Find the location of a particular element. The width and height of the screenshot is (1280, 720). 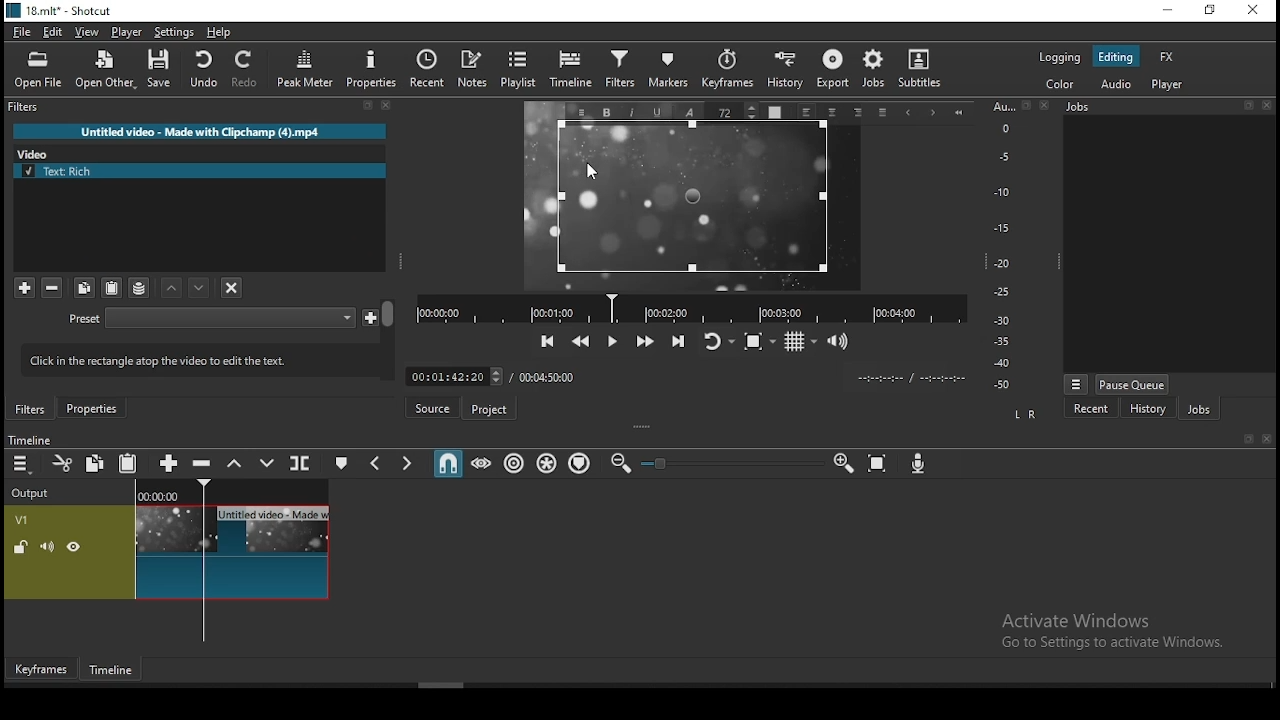

append is located at coordinates (171, 462).